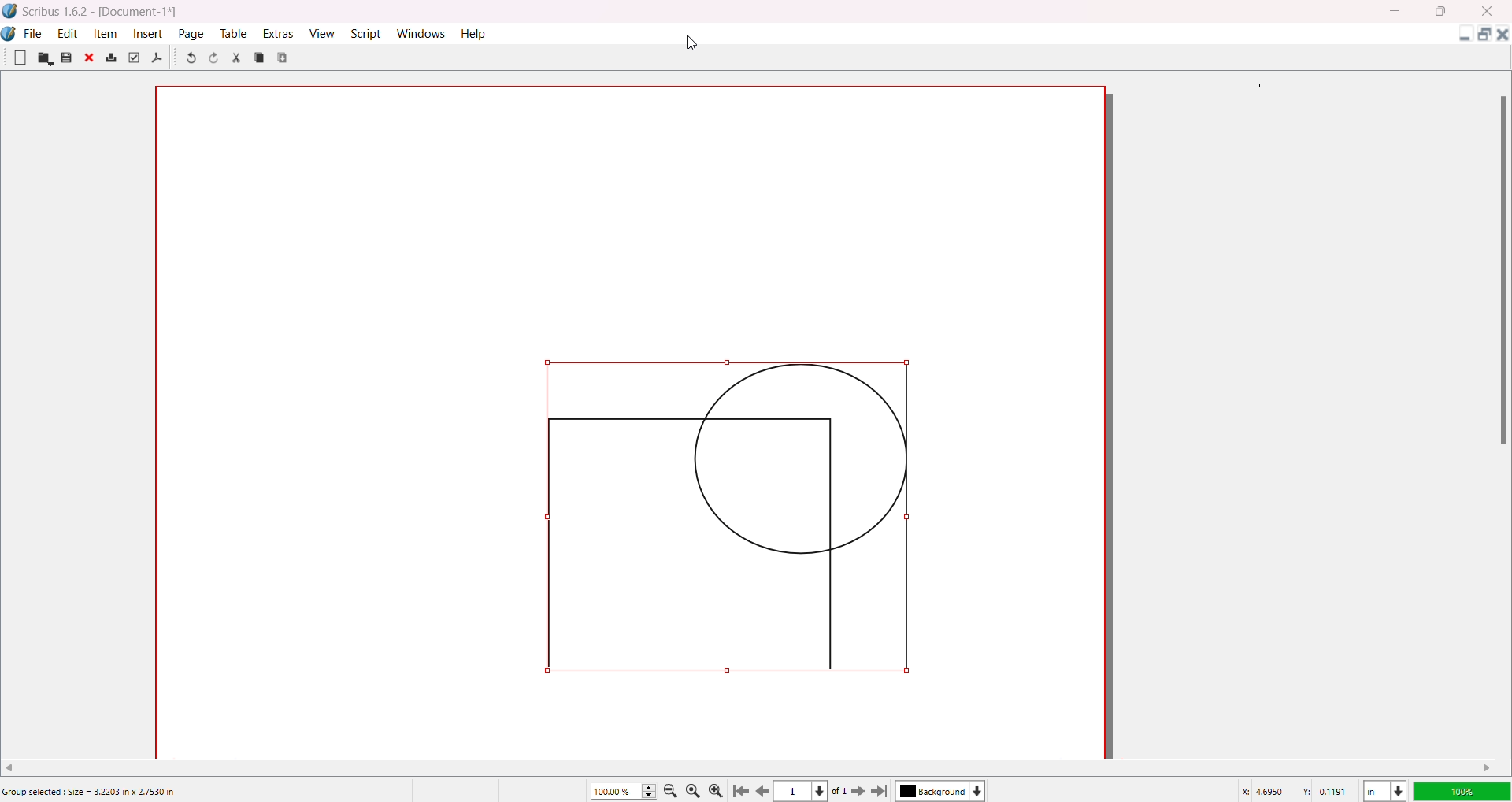 Image resolution: width=1512 pixels, height=802 pixels. Describe the element at coordinates (743, 789) in the screenshot. I see `First Page` at that location.